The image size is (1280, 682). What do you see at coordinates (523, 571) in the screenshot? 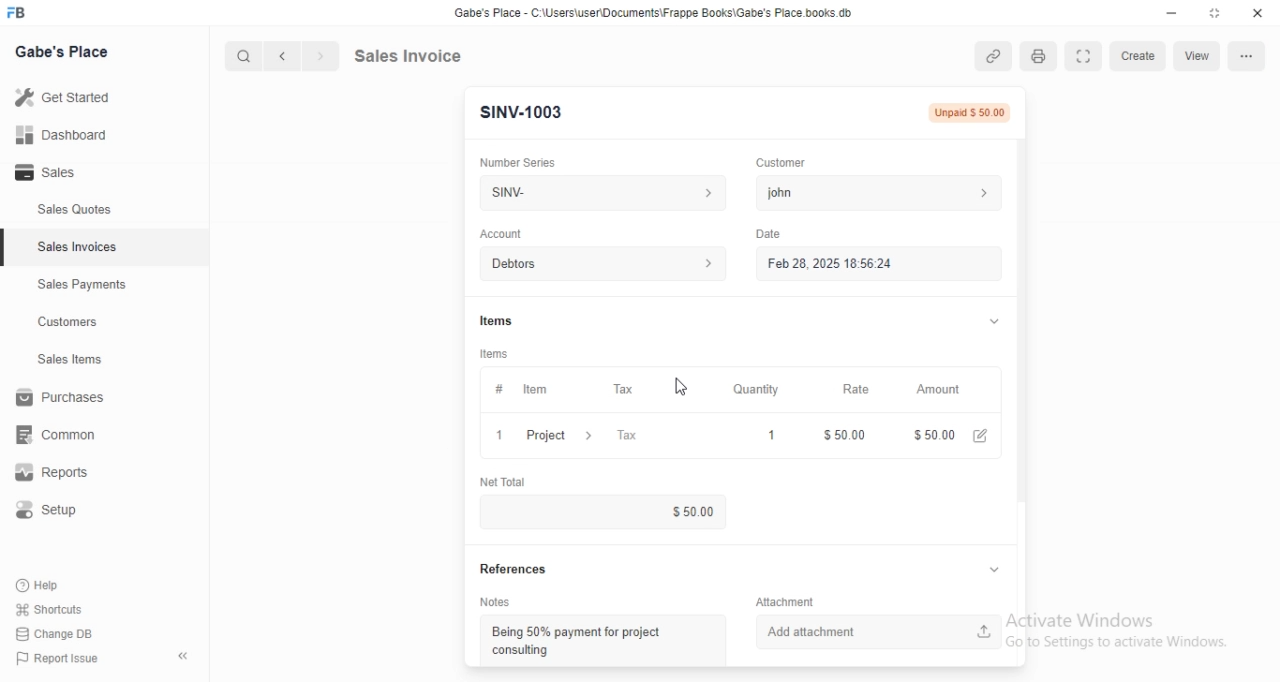
I see `References` at bounding box center [523, 571].